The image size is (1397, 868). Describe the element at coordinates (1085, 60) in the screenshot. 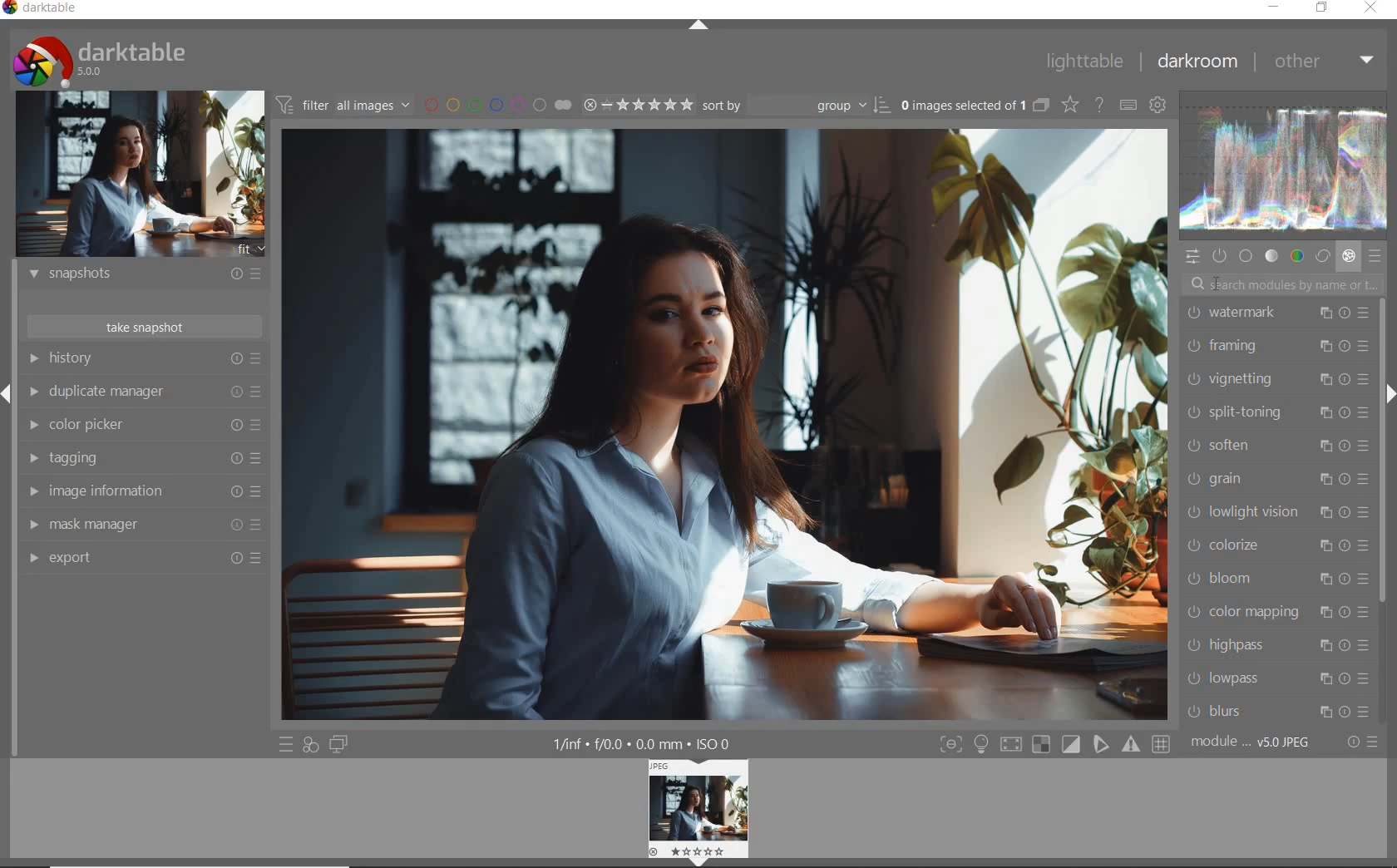

I see `lighttable` at that location.